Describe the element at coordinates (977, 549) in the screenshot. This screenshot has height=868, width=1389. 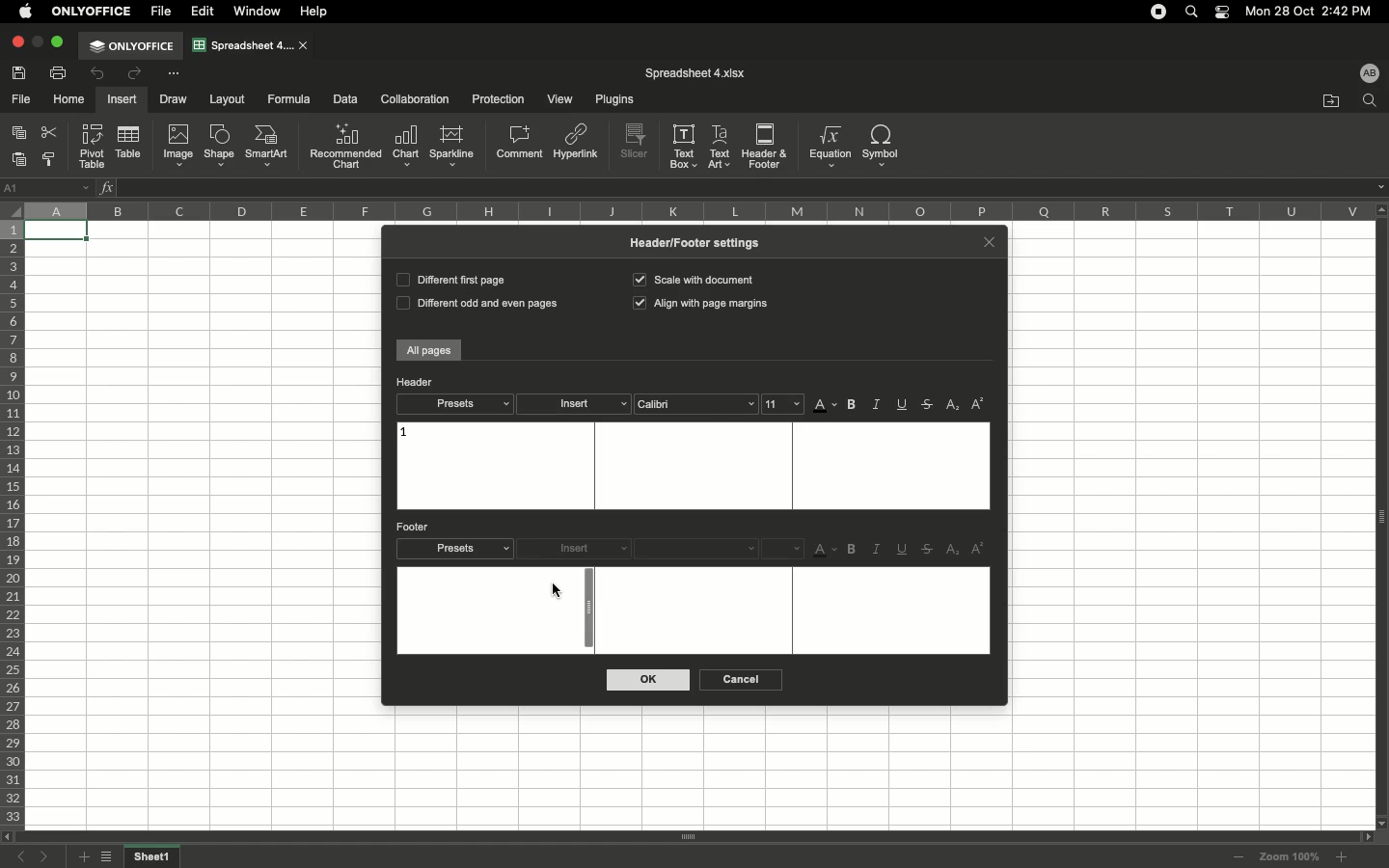
I see `Superscript` at that location.